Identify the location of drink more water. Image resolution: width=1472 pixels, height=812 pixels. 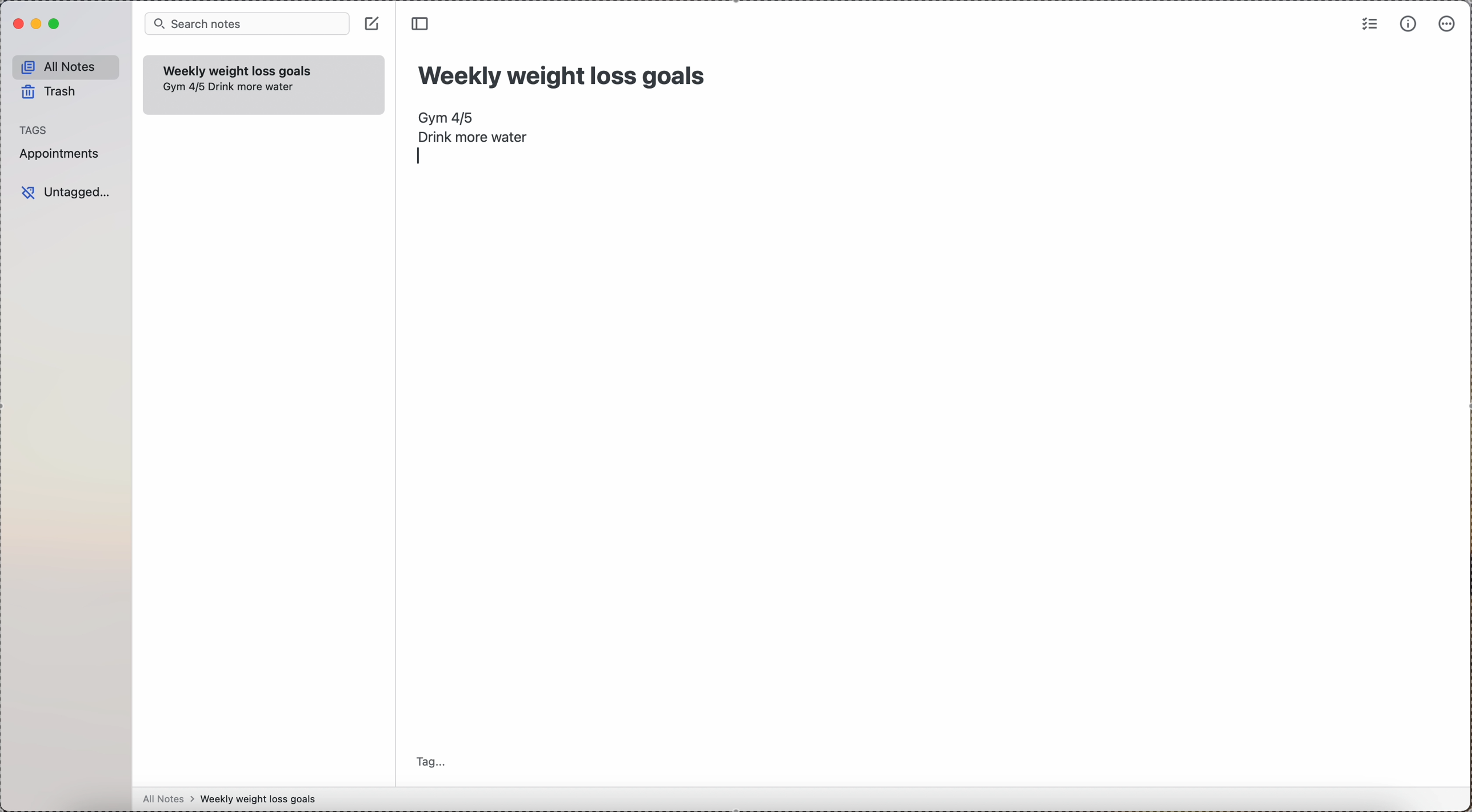
(473, 137).